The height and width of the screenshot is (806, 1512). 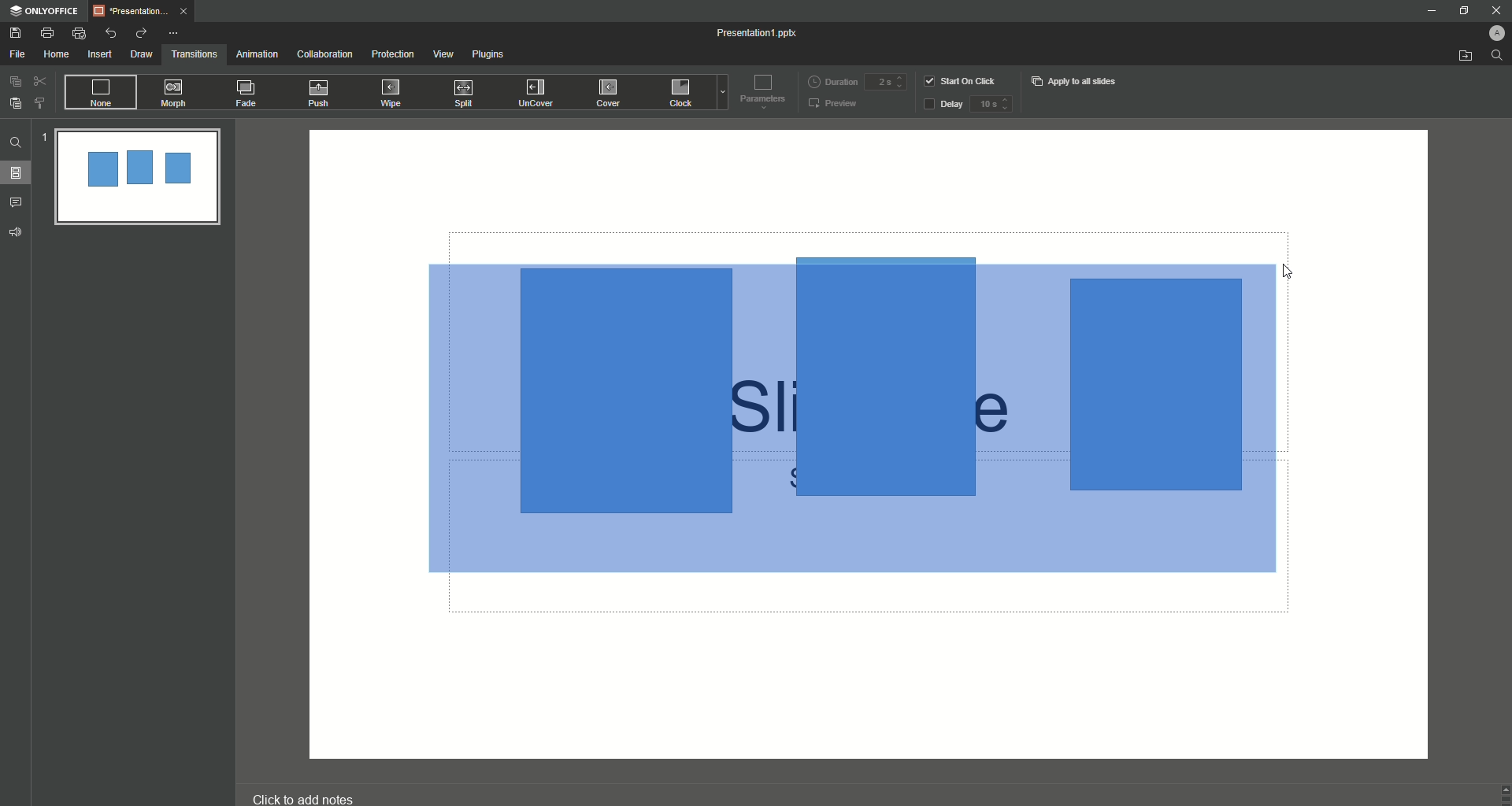 I want to click on Protection, so click(x=394, y=54).